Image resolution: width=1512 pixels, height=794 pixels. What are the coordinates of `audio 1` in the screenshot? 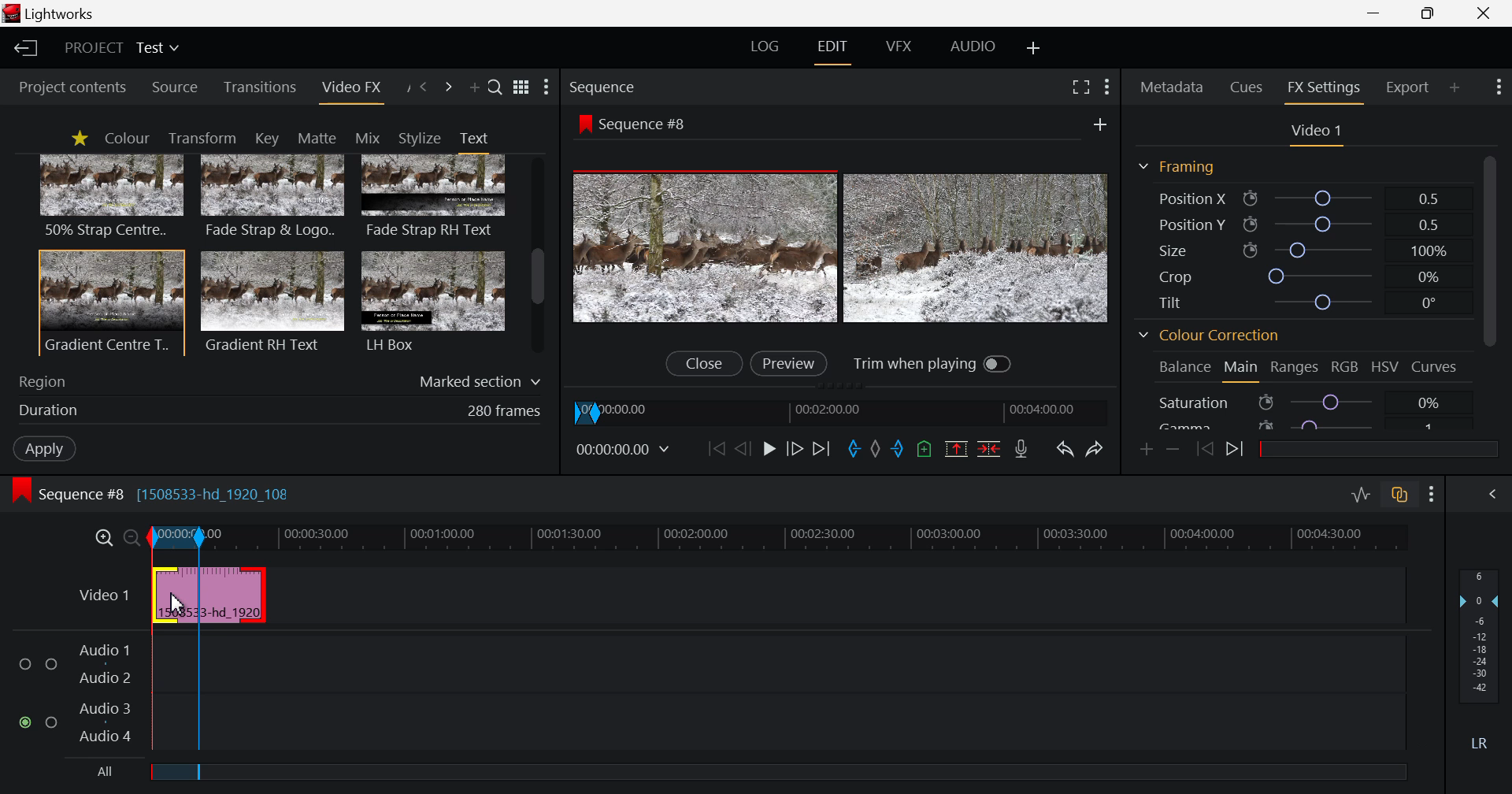 It's located at (104, 648).